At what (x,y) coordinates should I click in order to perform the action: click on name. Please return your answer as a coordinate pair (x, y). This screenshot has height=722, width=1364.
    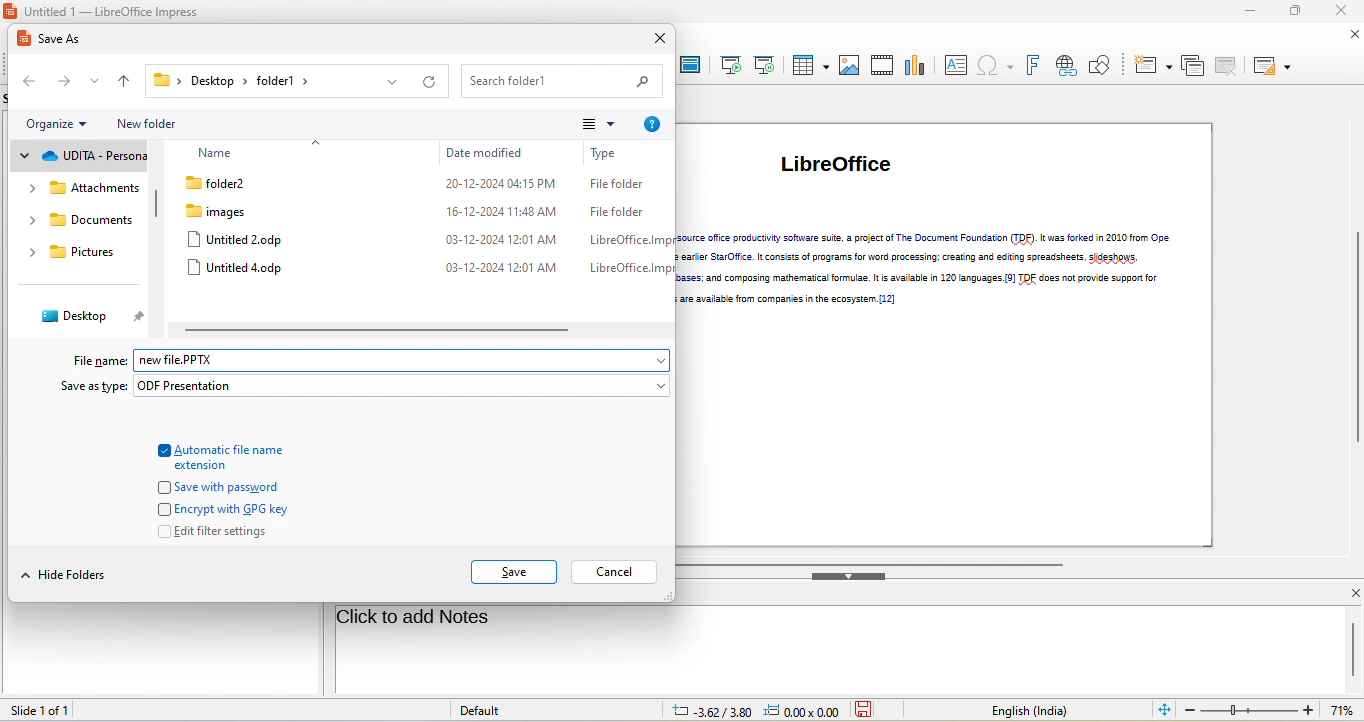
    Looking at the image, I should click on (220, 153).